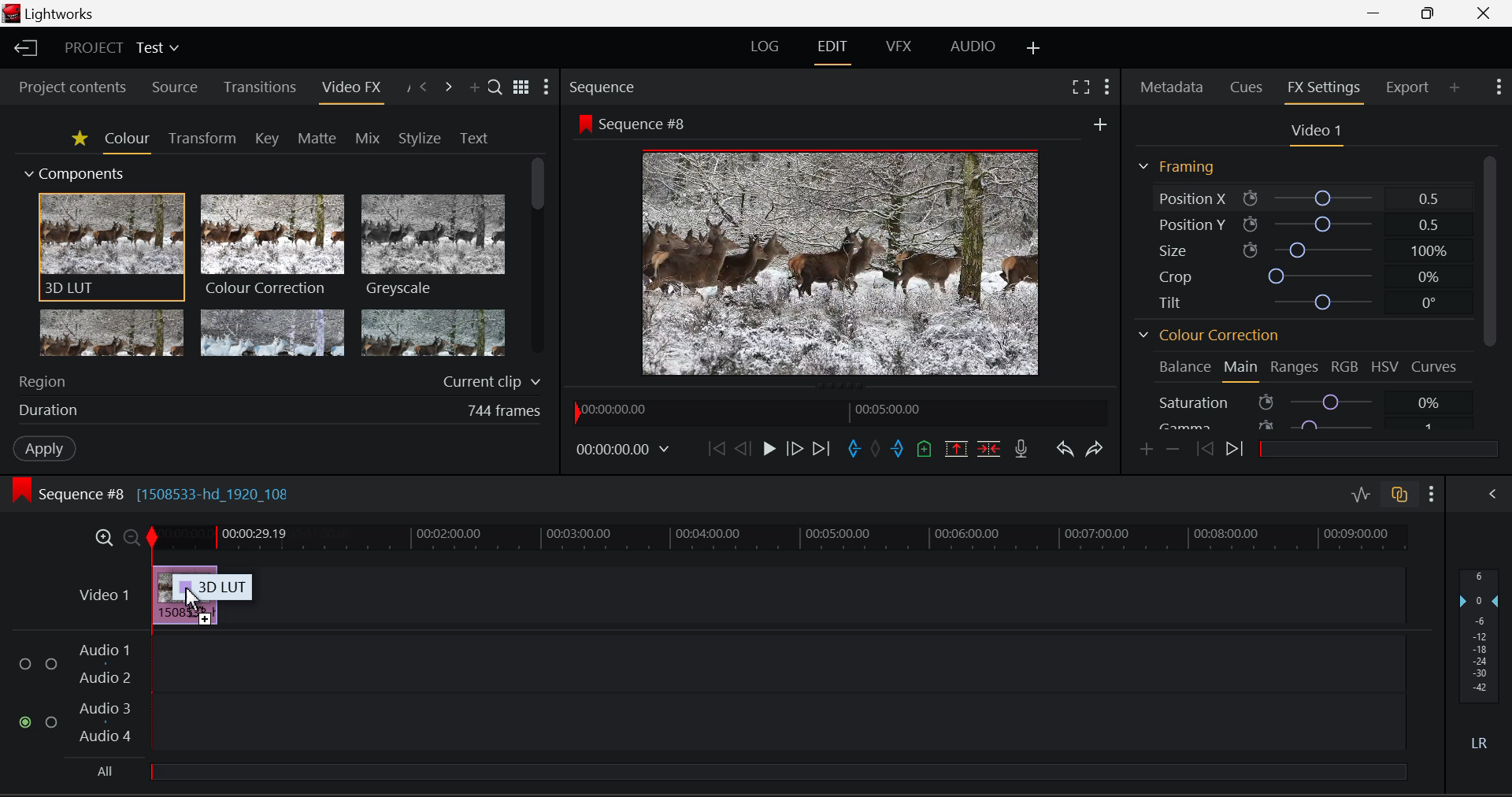  What do you see at coordinates (766, 51) in the screenshot?
I see `LOG Layout` at bounding box center [766, 51].